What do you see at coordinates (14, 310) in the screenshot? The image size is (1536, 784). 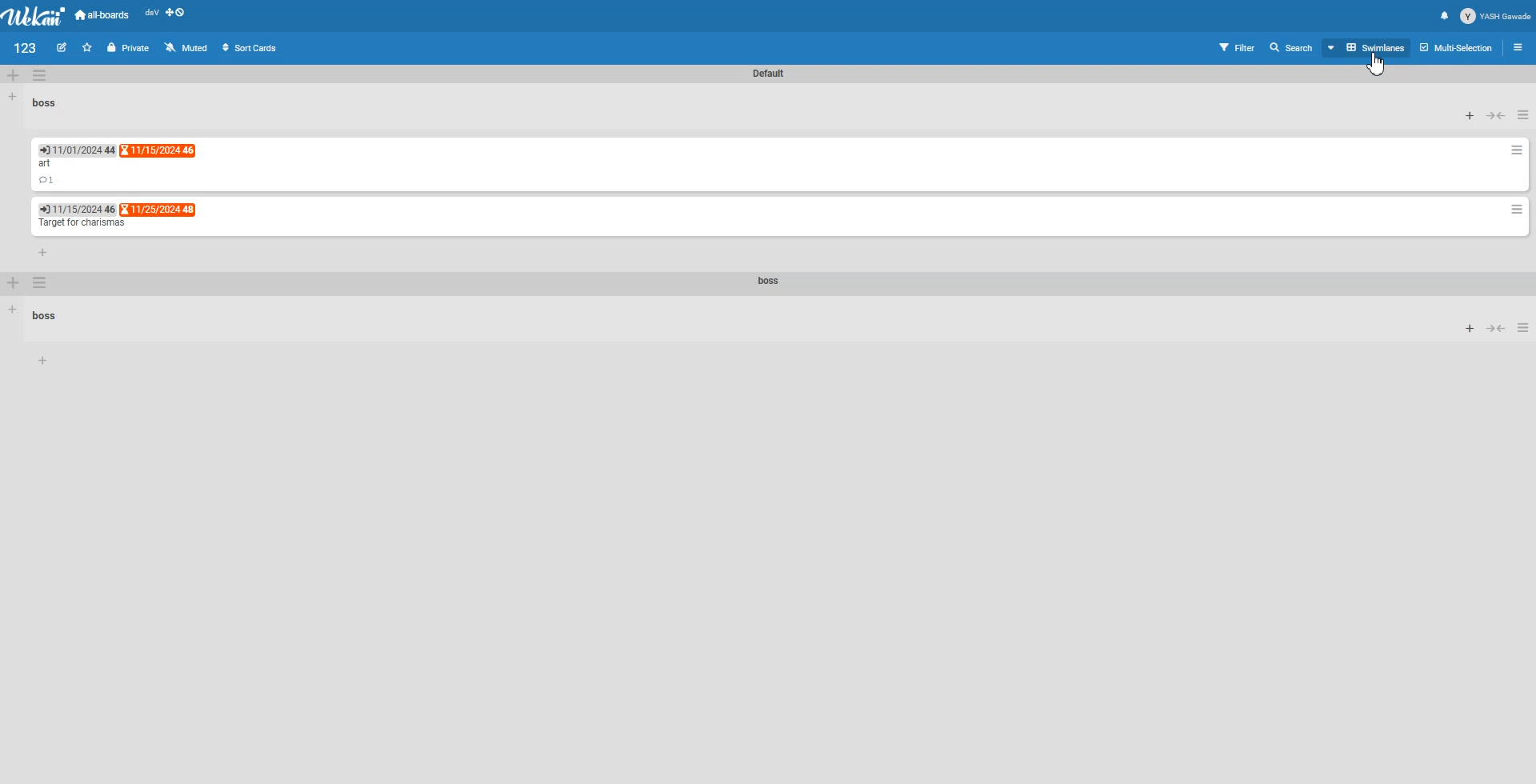 I see `Add list` at bounding box center [14, 310].